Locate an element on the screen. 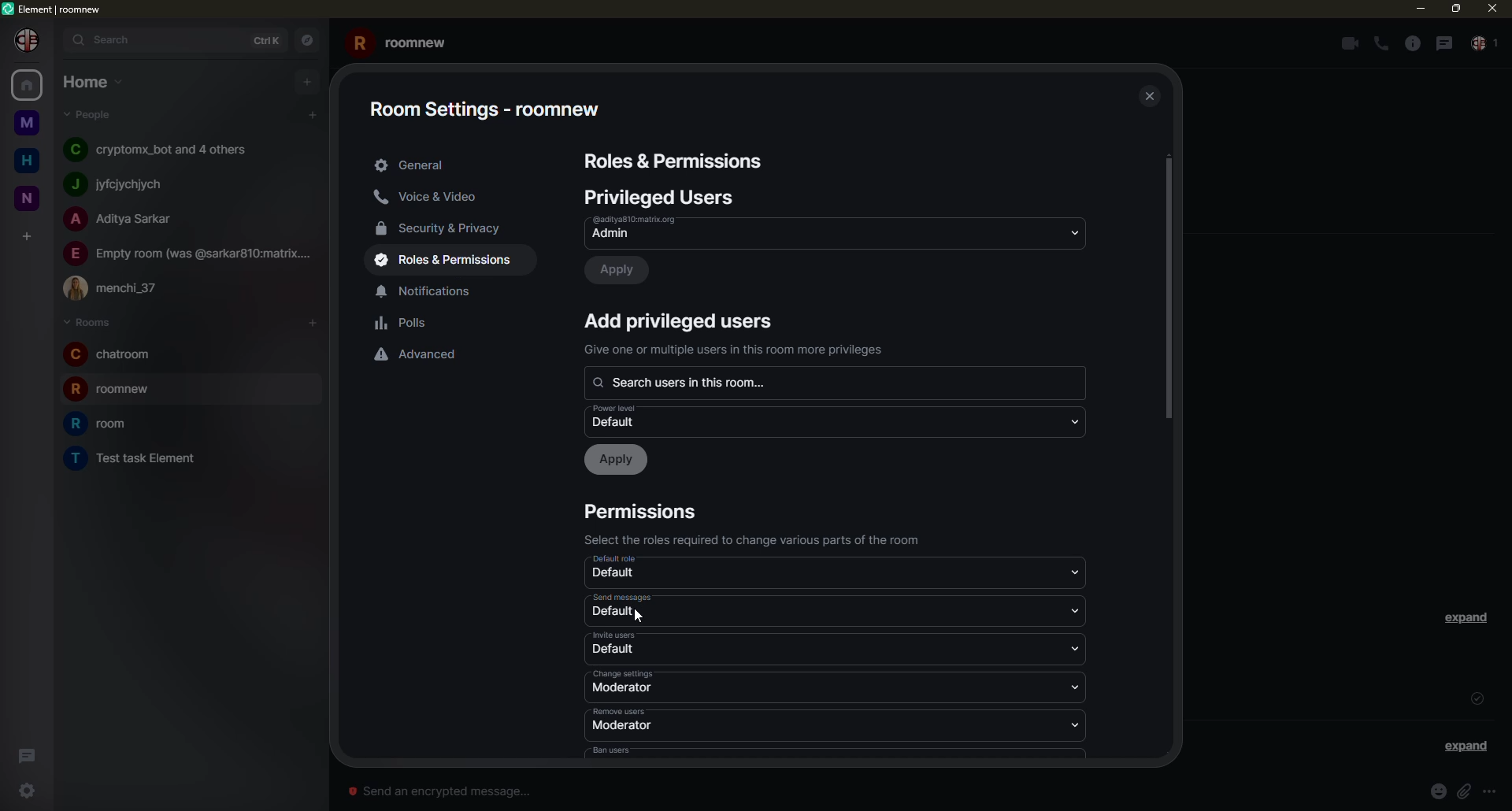 This screenshot has width=1512, height=811. advaced is located at coordinates (421, 354).